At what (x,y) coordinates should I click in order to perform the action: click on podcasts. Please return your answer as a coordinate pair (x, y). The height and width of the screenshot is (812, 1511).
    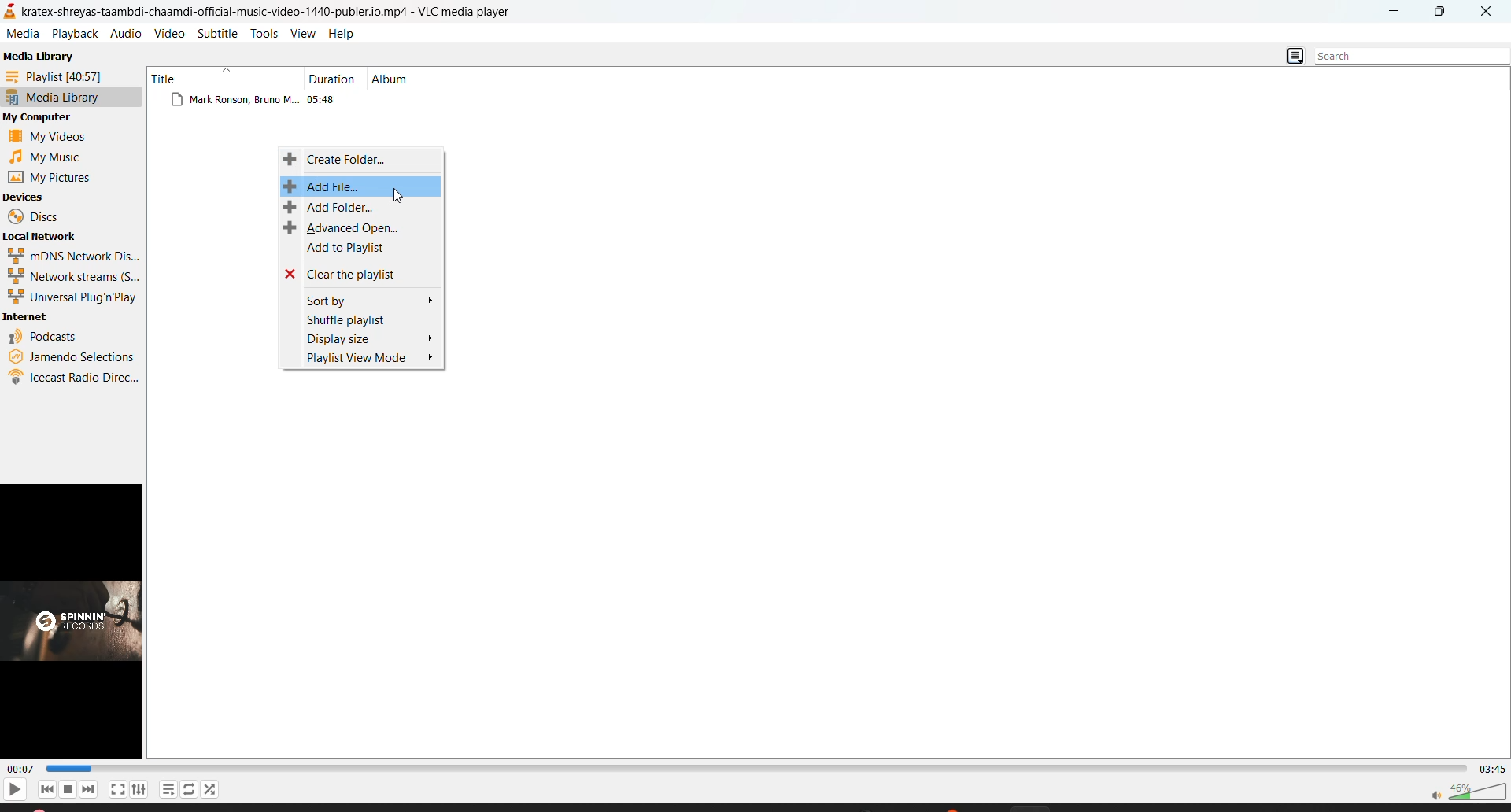
    Looking at the image, I should click on (42, 337).